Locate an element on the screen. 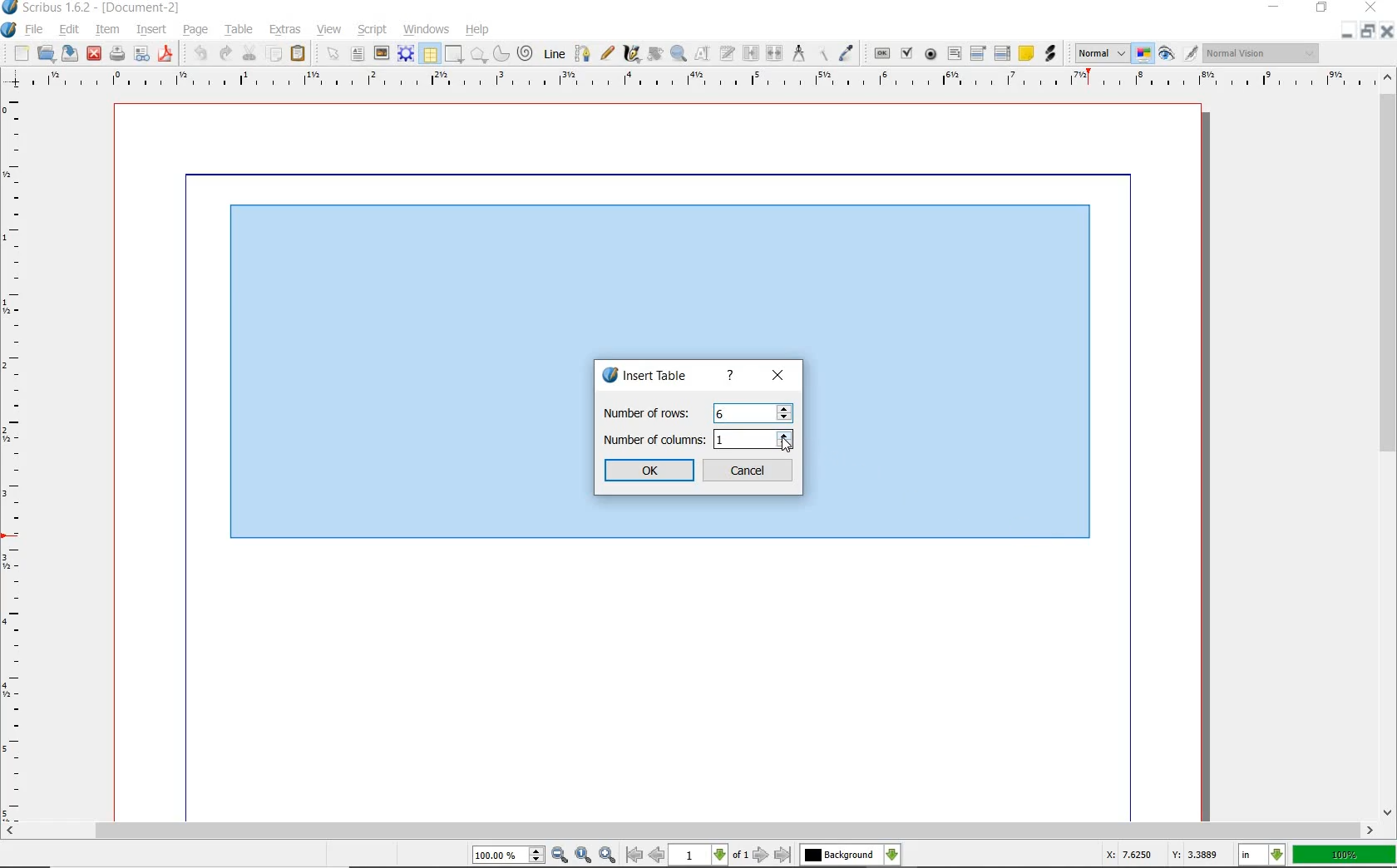 This screenshot has width=1397, height=868. ruler is located at coordinates (708, 81).